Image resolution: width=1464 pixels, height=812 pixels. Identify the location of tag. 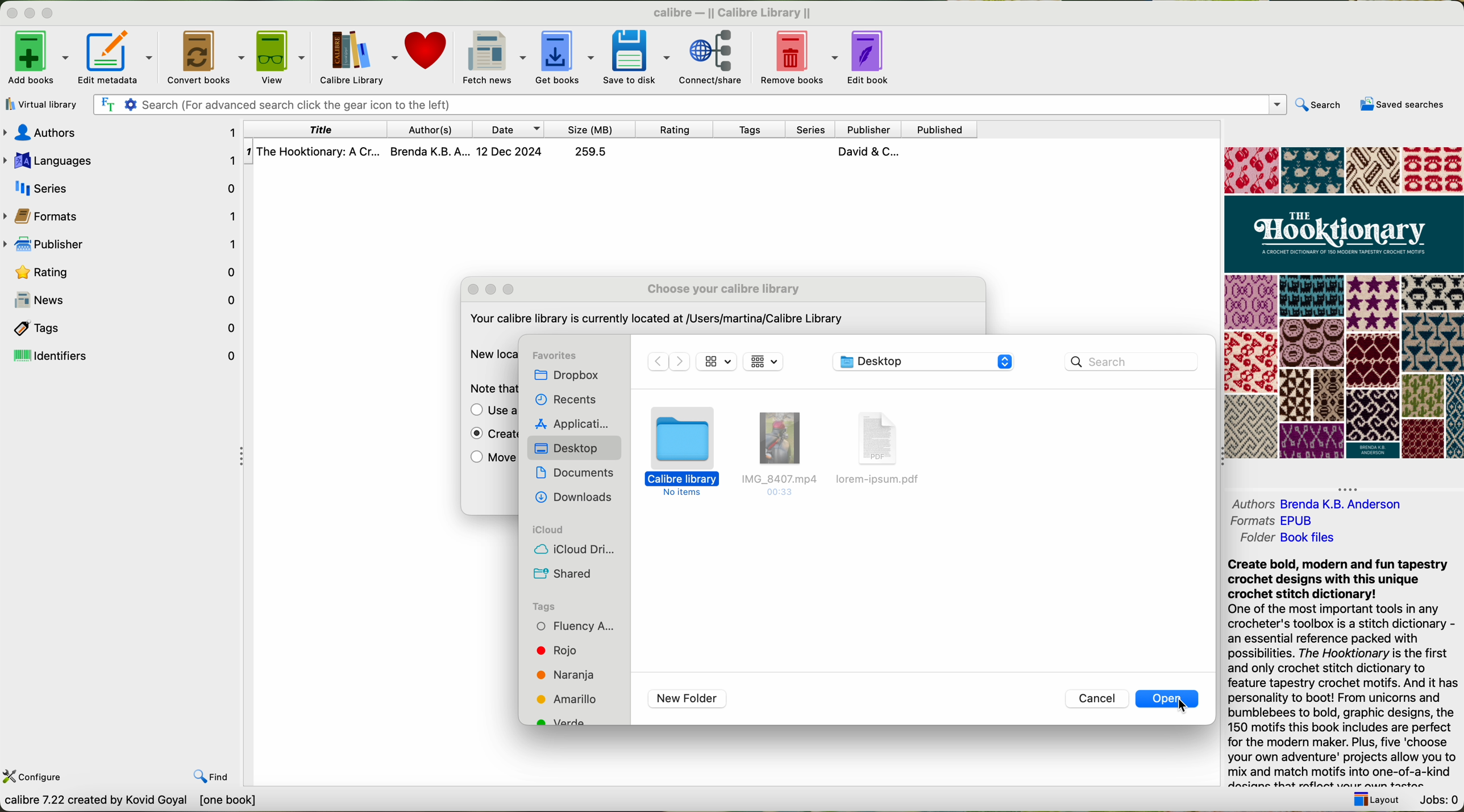
(558, 652).